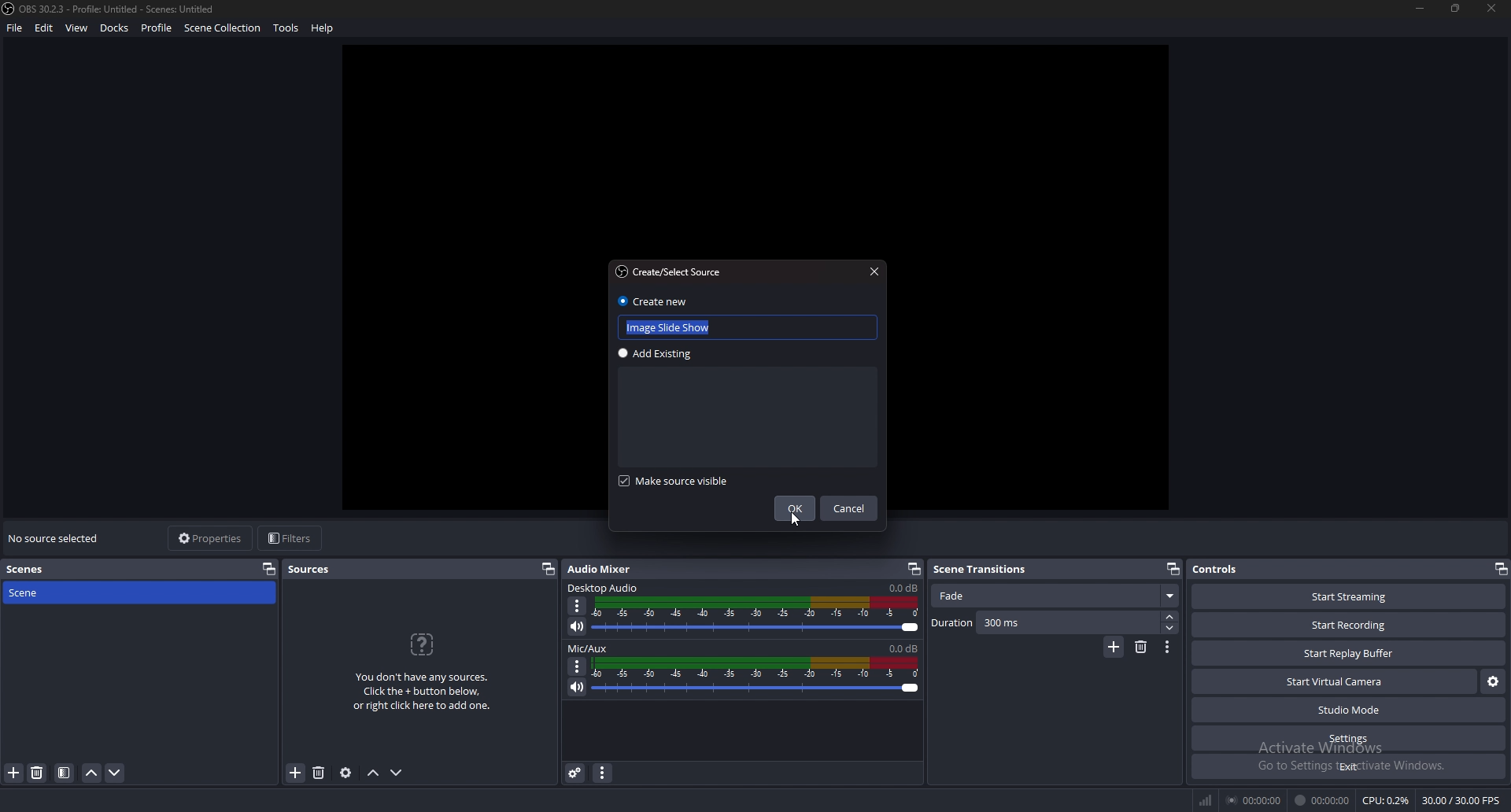 The width and height of the screenshot is (1511, 812). Describe the element at coordinates (156, 26) in the screenshot. I see `profile` at that location.